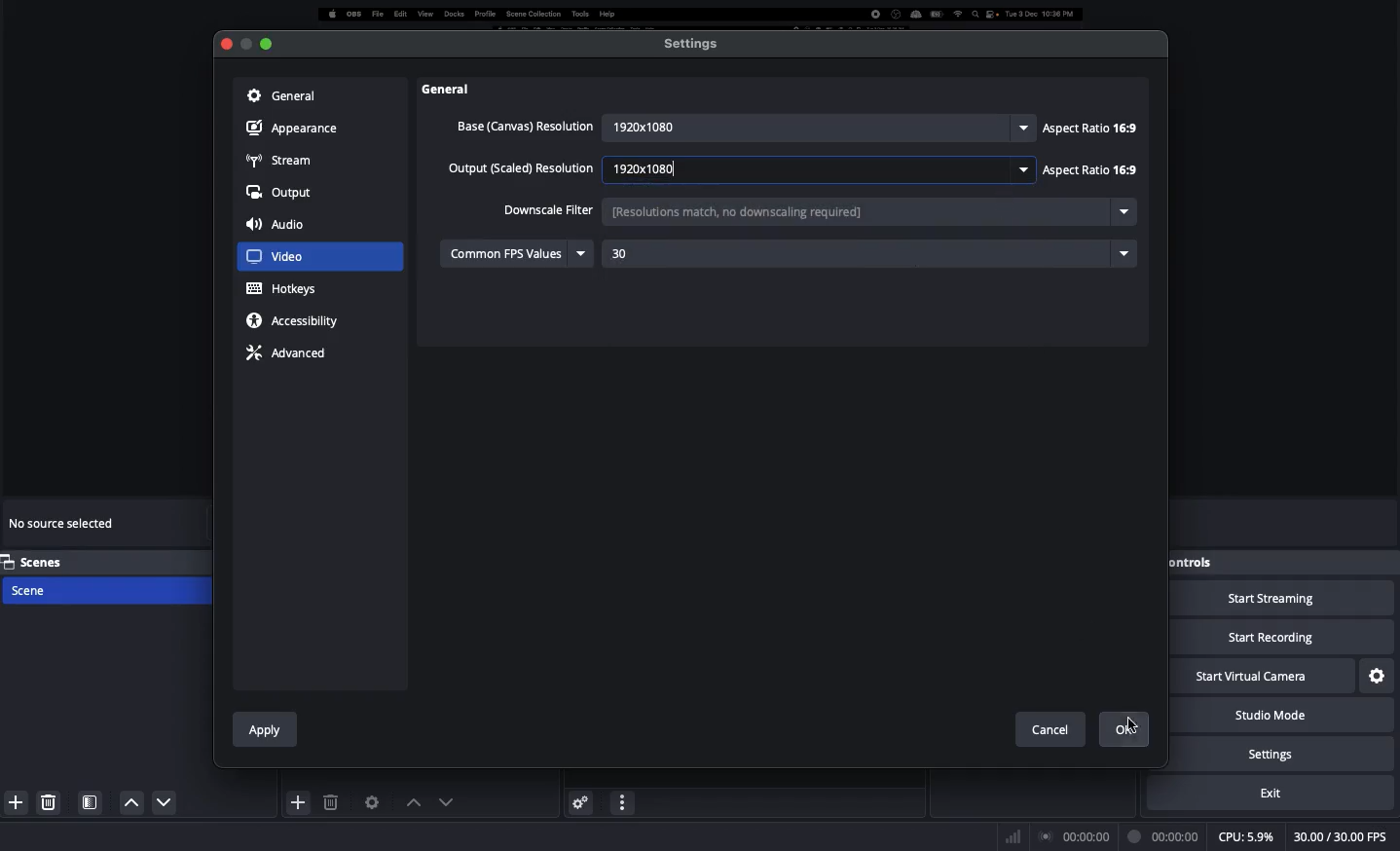  I want to click on Down, so click(127, 802).